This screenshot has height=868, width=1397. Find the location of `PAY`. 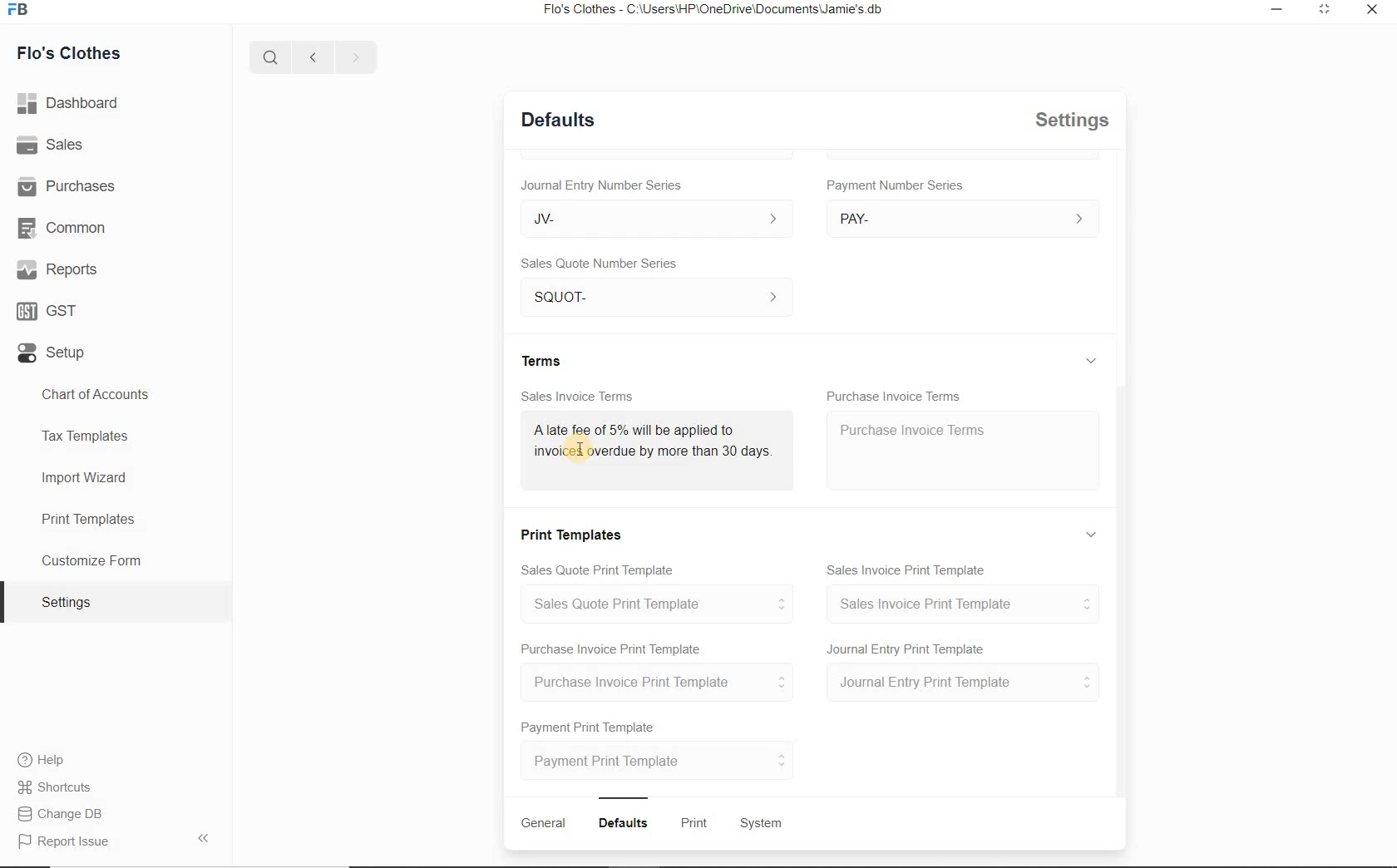

PAY is located at coordinates (963, 218).